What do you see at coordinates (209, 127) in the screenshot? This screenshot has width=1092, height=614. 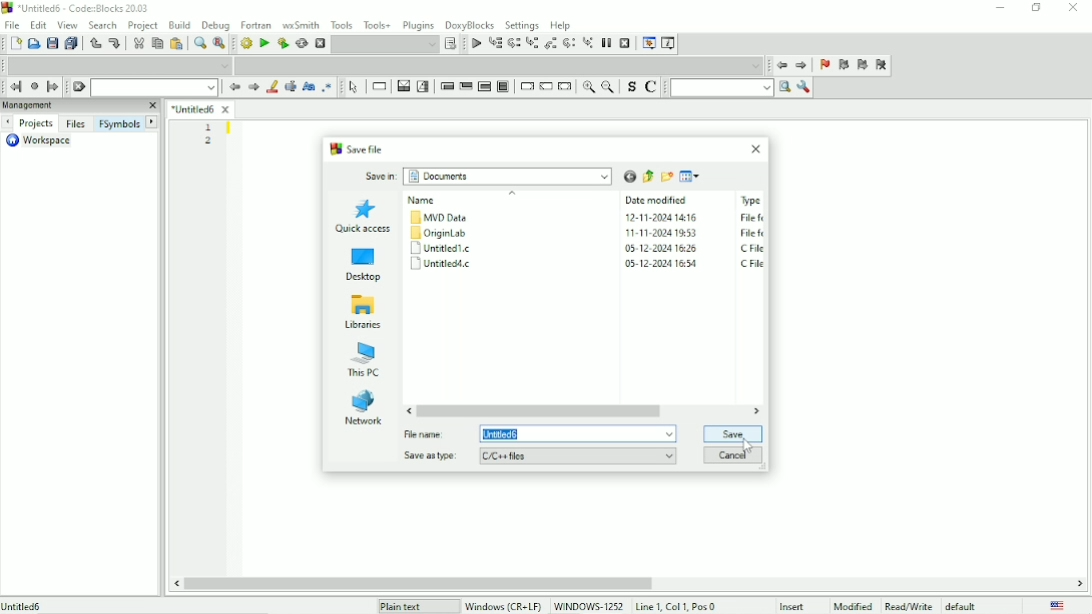 I see `1` at bounding box center [209, 127].